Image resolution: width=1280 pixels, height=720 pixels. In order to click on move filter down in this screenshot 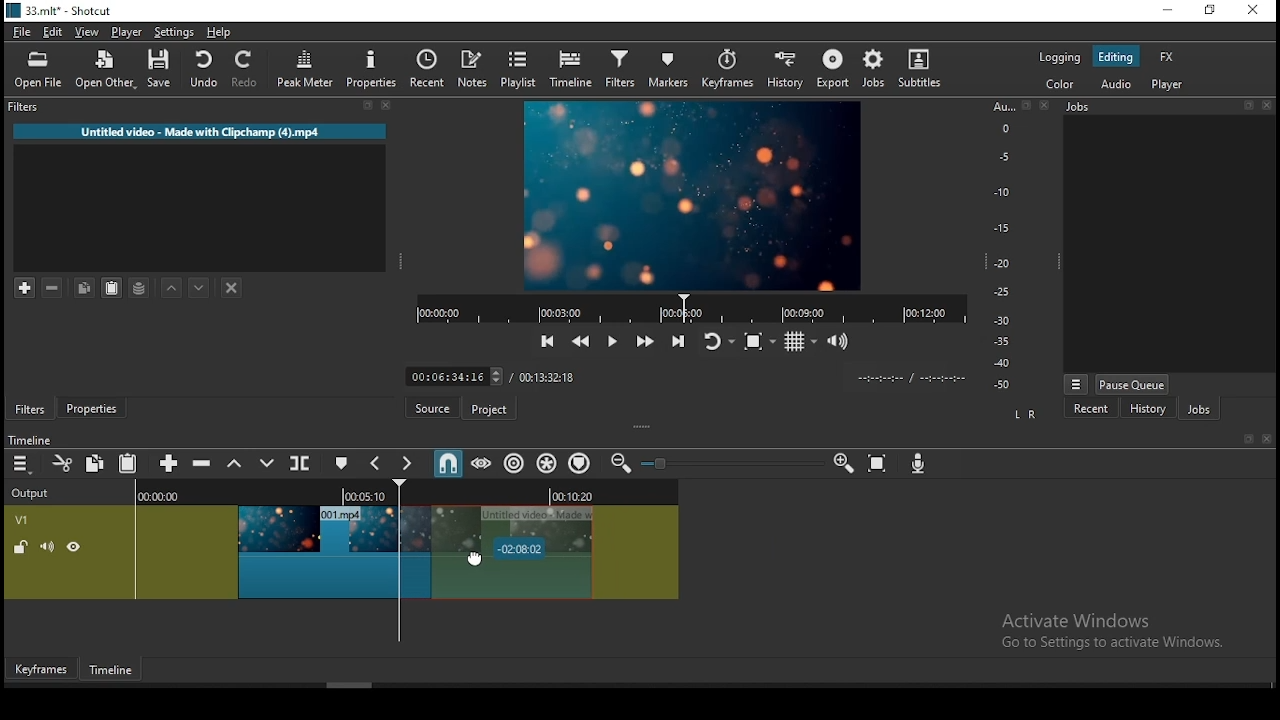, I will do `click(200, 286)`.